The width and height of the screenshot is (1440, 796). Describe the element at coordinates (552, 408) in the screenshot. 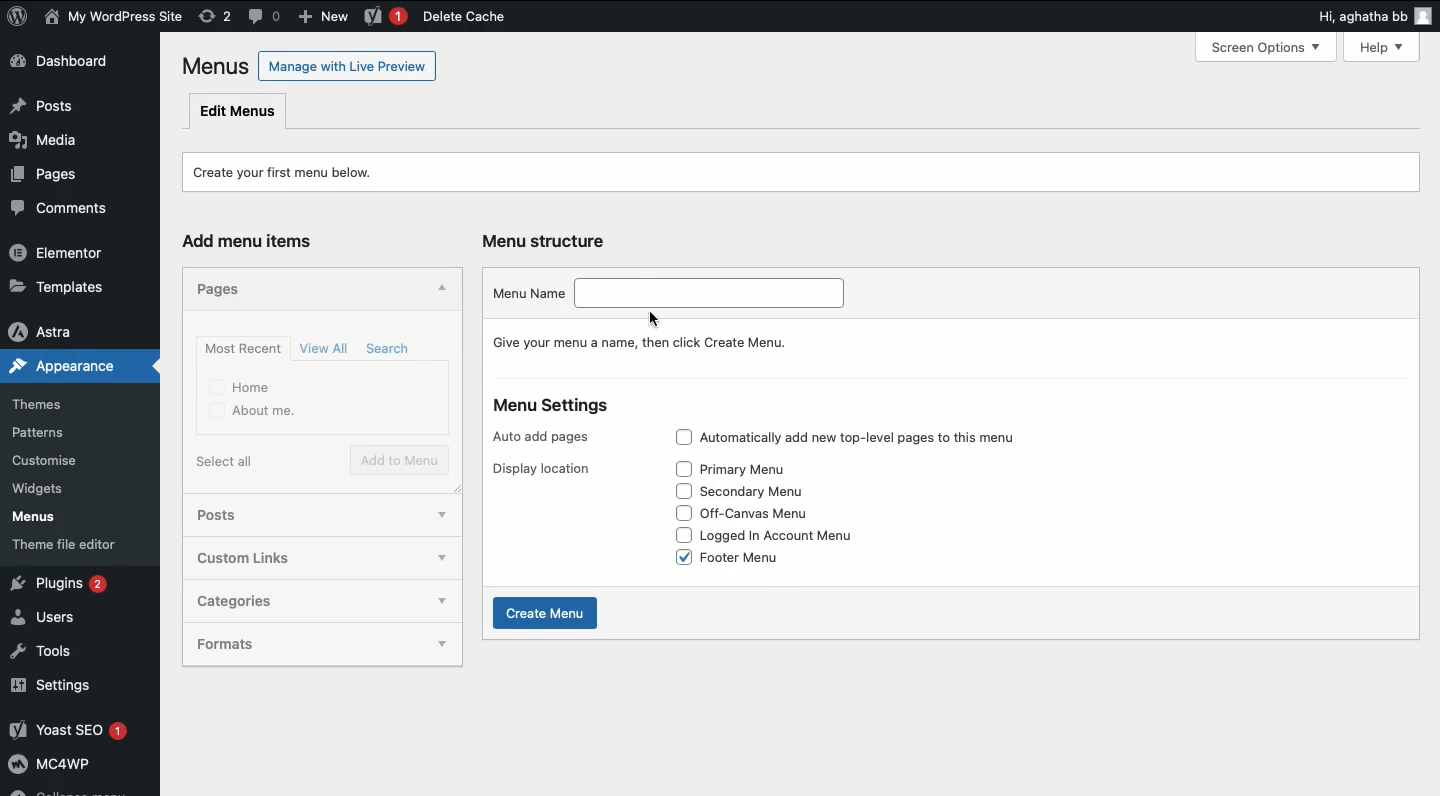

I see `Menu settings` at that location.